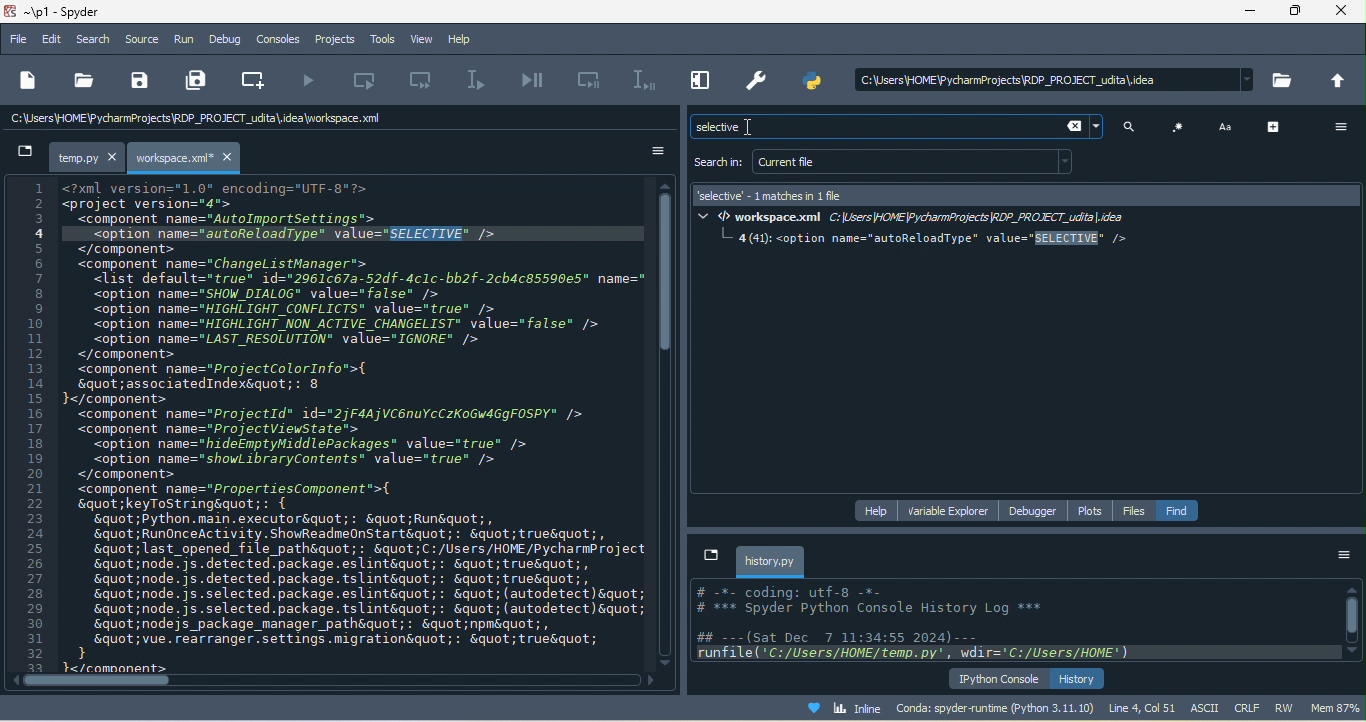 Image resolution: width=1366 pixels, height=722 pixels. What do you see at coordinates (1079, 678) in the screenshot?
I see `history` at bounding box center [1079, 678].